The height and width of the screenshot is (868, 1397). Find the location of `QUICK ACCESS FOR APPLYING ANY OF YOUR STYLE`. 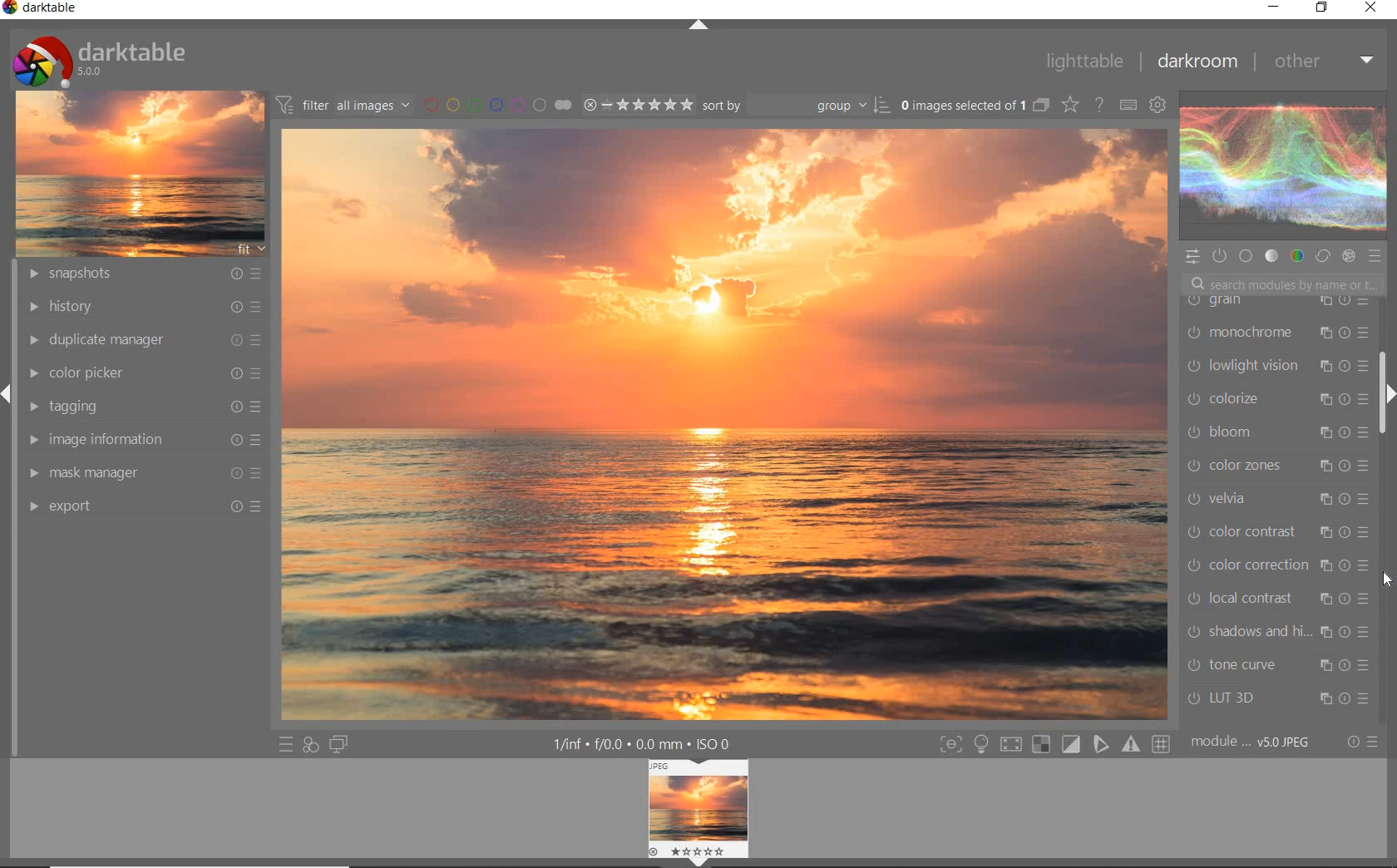

QUICK ACCESS FOR APPLYING ANY OF YOUR STYLE is located at coordinates (309, 746).